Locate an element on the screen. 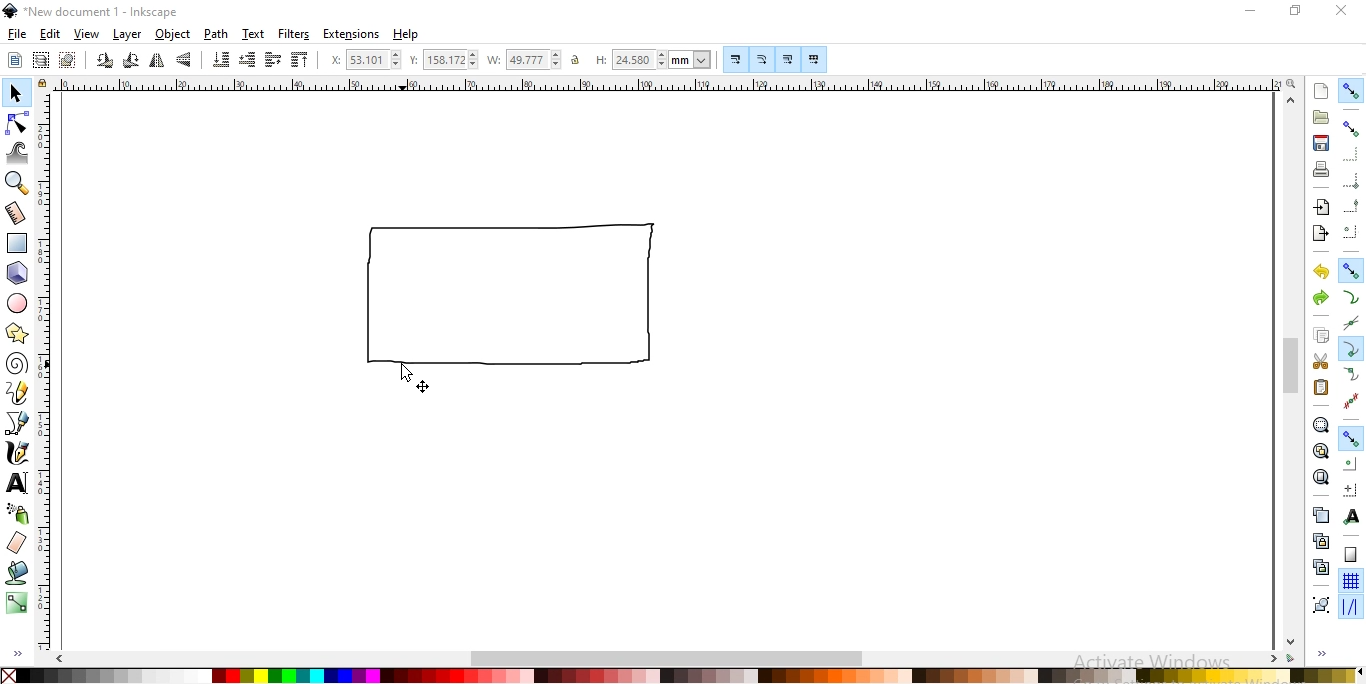 The width and height of the screenshot is (1366, 684). paste is located at coordinates (1320, 388).